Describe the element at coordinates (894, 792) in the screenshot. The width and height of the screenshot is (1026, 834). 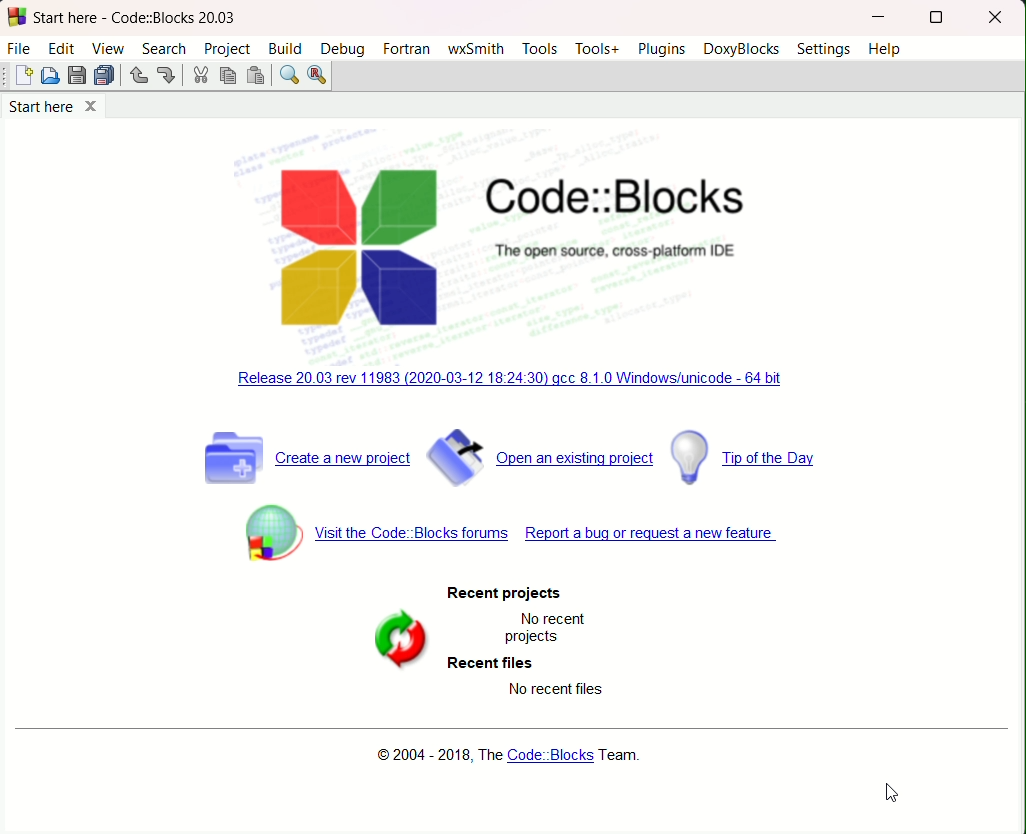
I see `Cursor` at that location.